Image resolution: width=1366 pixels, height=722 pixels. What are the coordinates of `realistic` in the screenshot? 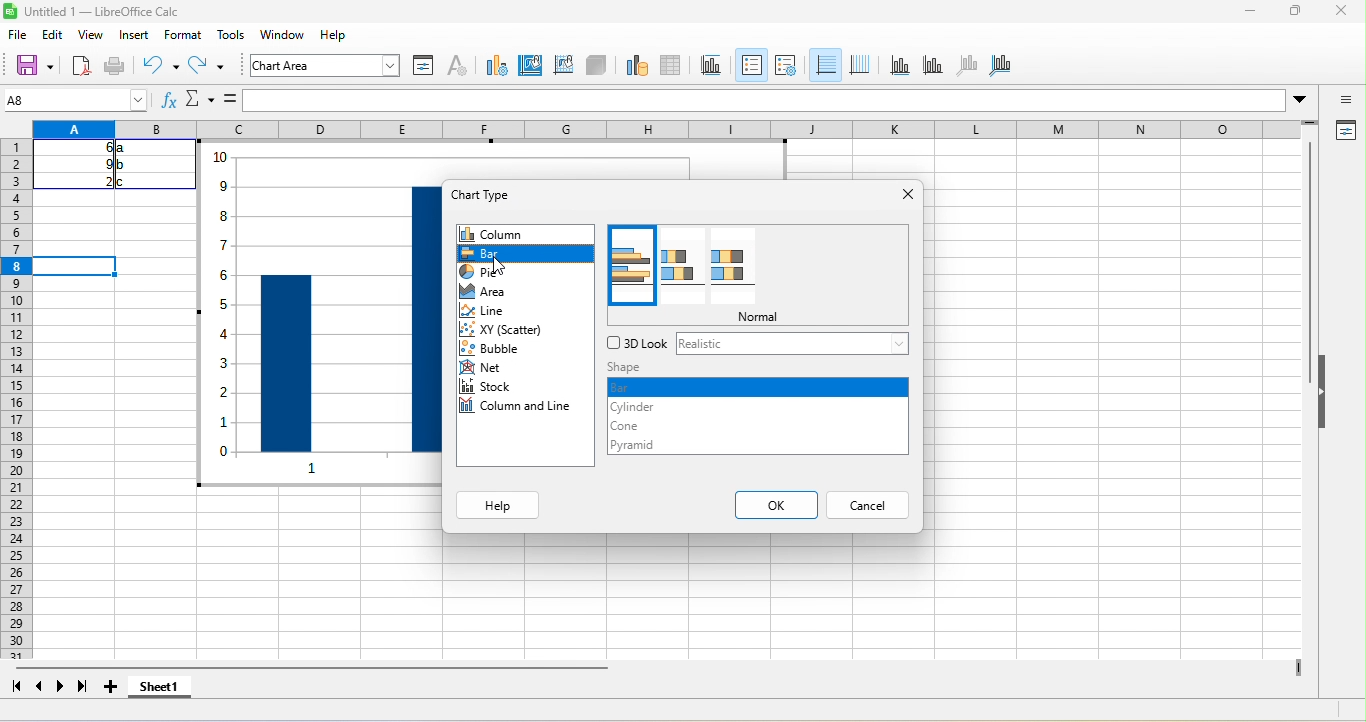 It's located at (794, 345).